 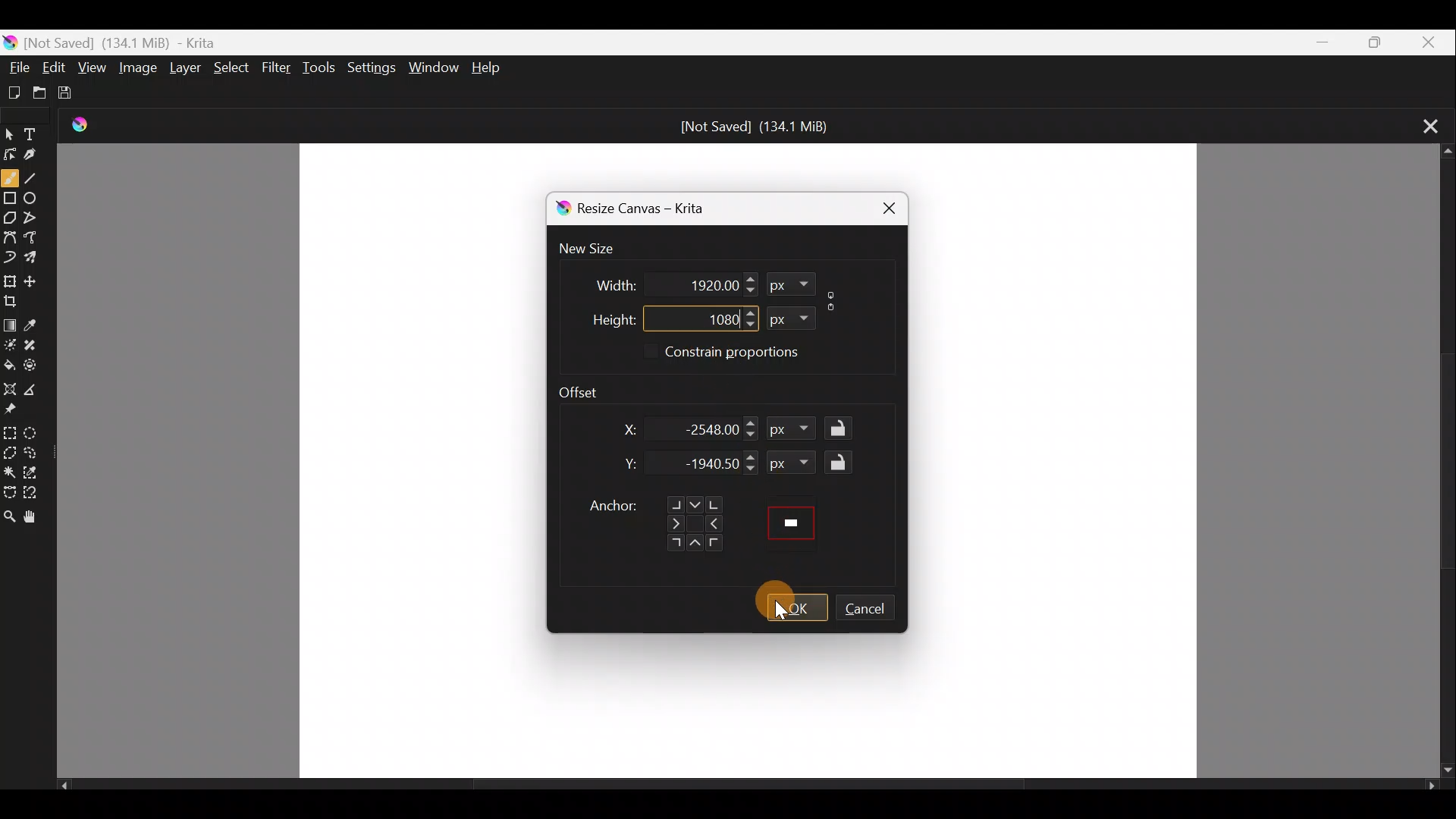 I want to click on Increase width, so click(x=750, y=278).